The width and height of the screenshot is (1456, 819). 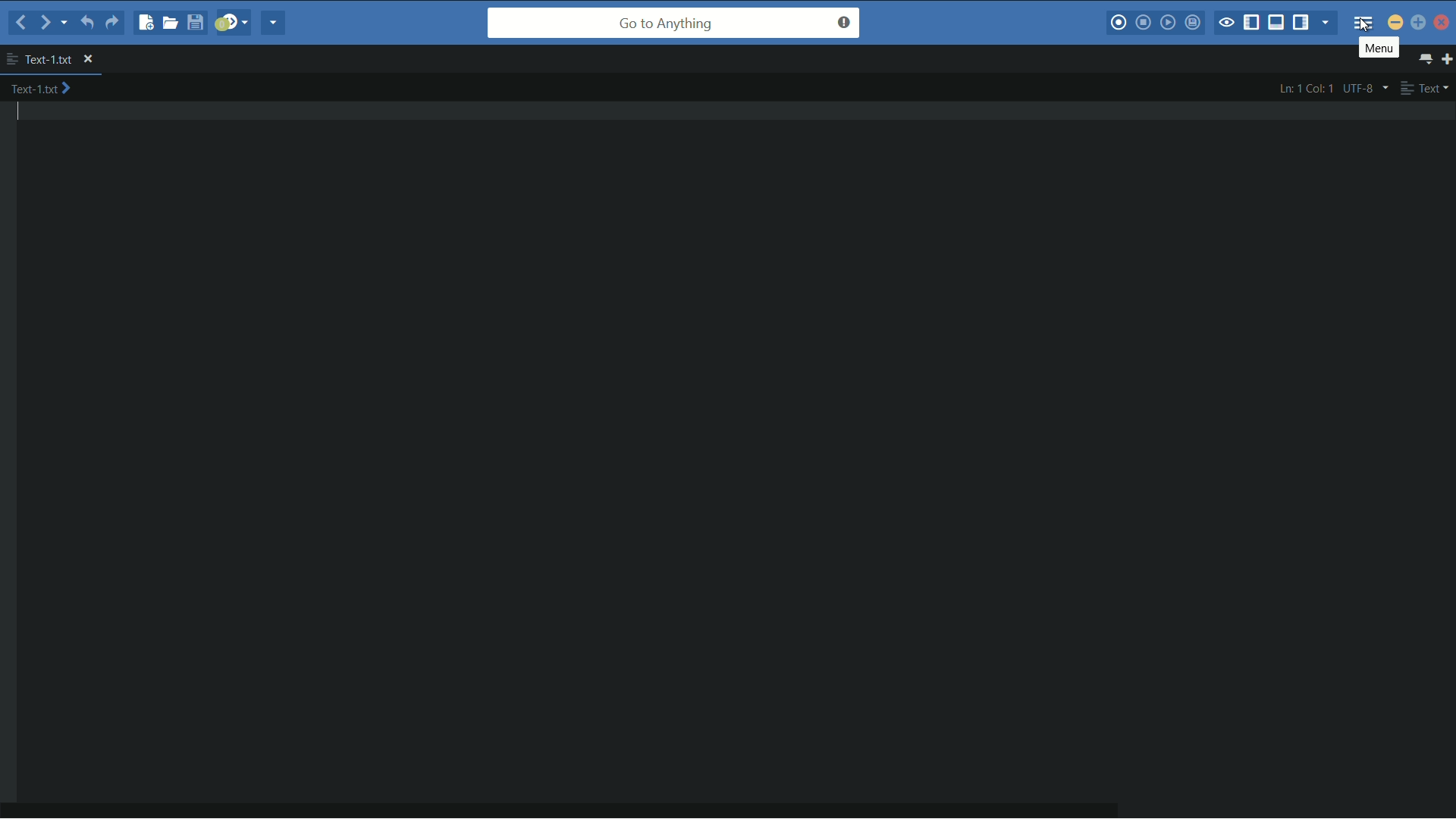 I want to click on minimize, so click(x=1396, y=24).